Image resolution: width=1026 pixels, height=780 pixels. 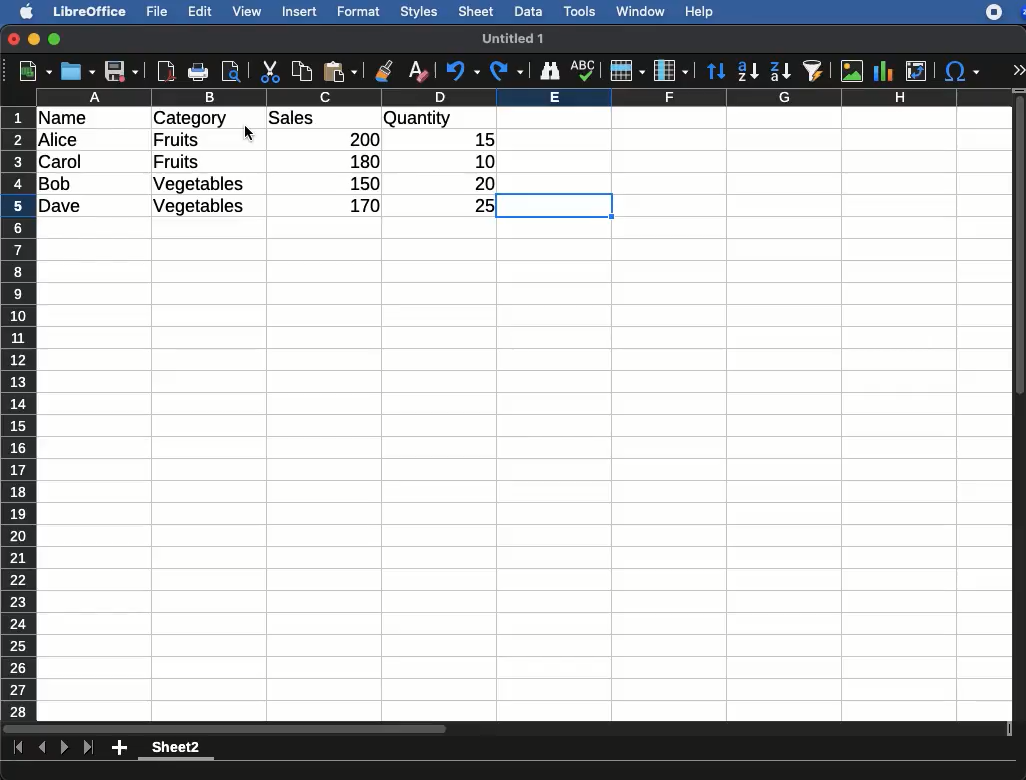 I want to click on untitled, so click(x=505, y=38).